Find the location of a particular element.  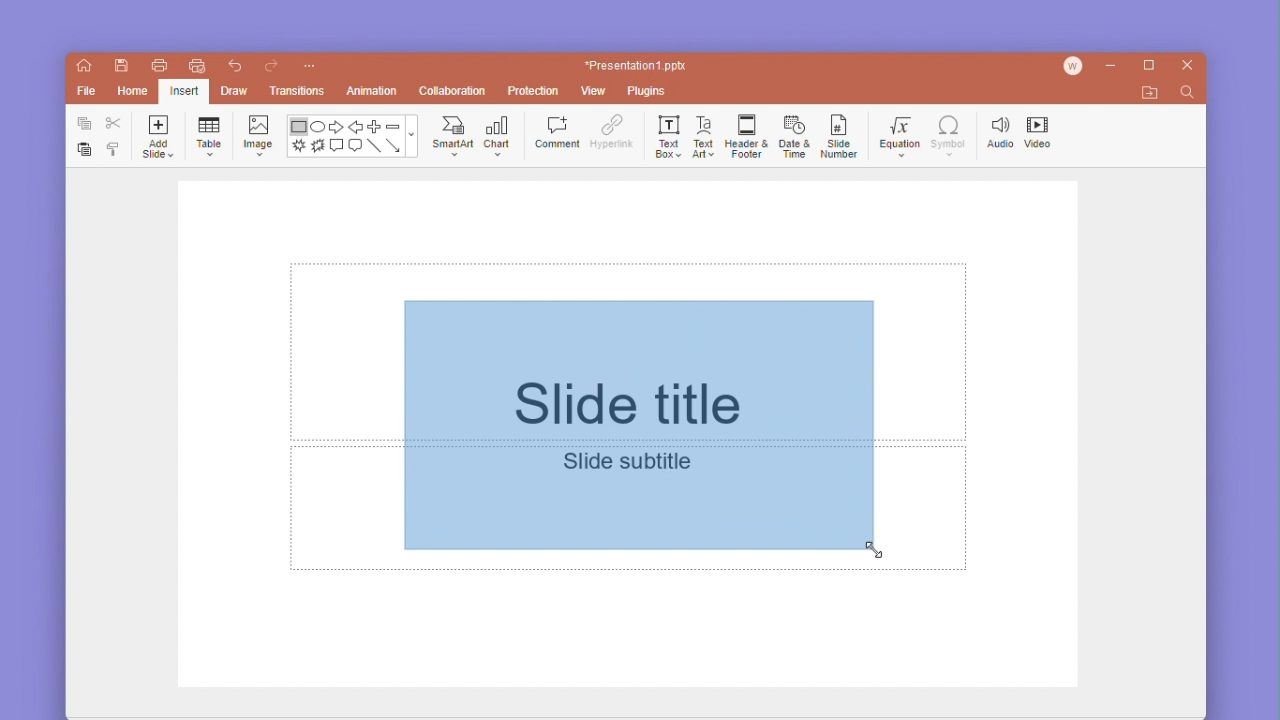

format painter is located at coordinates (113, 150).